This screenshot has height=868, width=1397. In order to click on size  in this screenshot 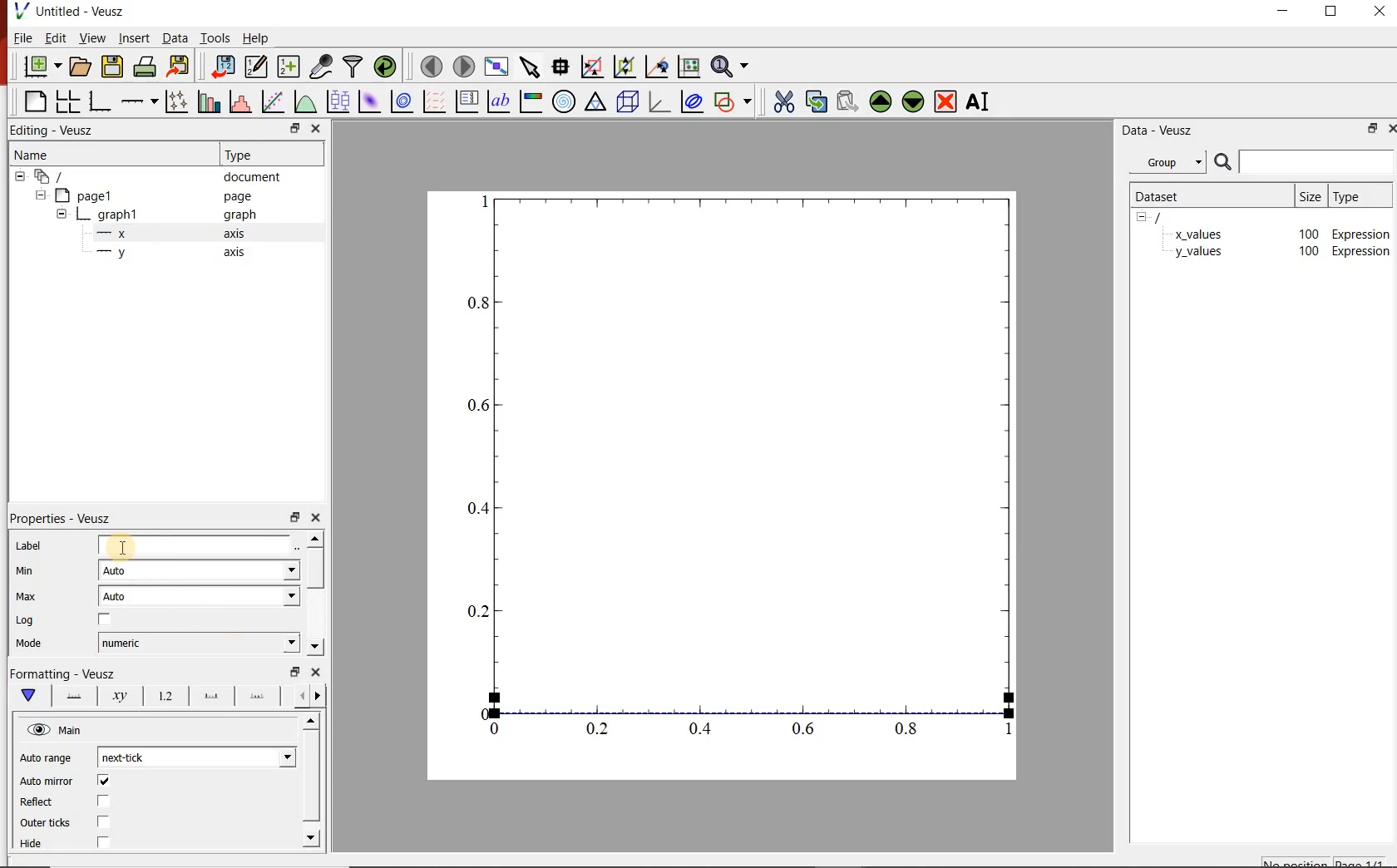, I will do `click(1311, 196)`.